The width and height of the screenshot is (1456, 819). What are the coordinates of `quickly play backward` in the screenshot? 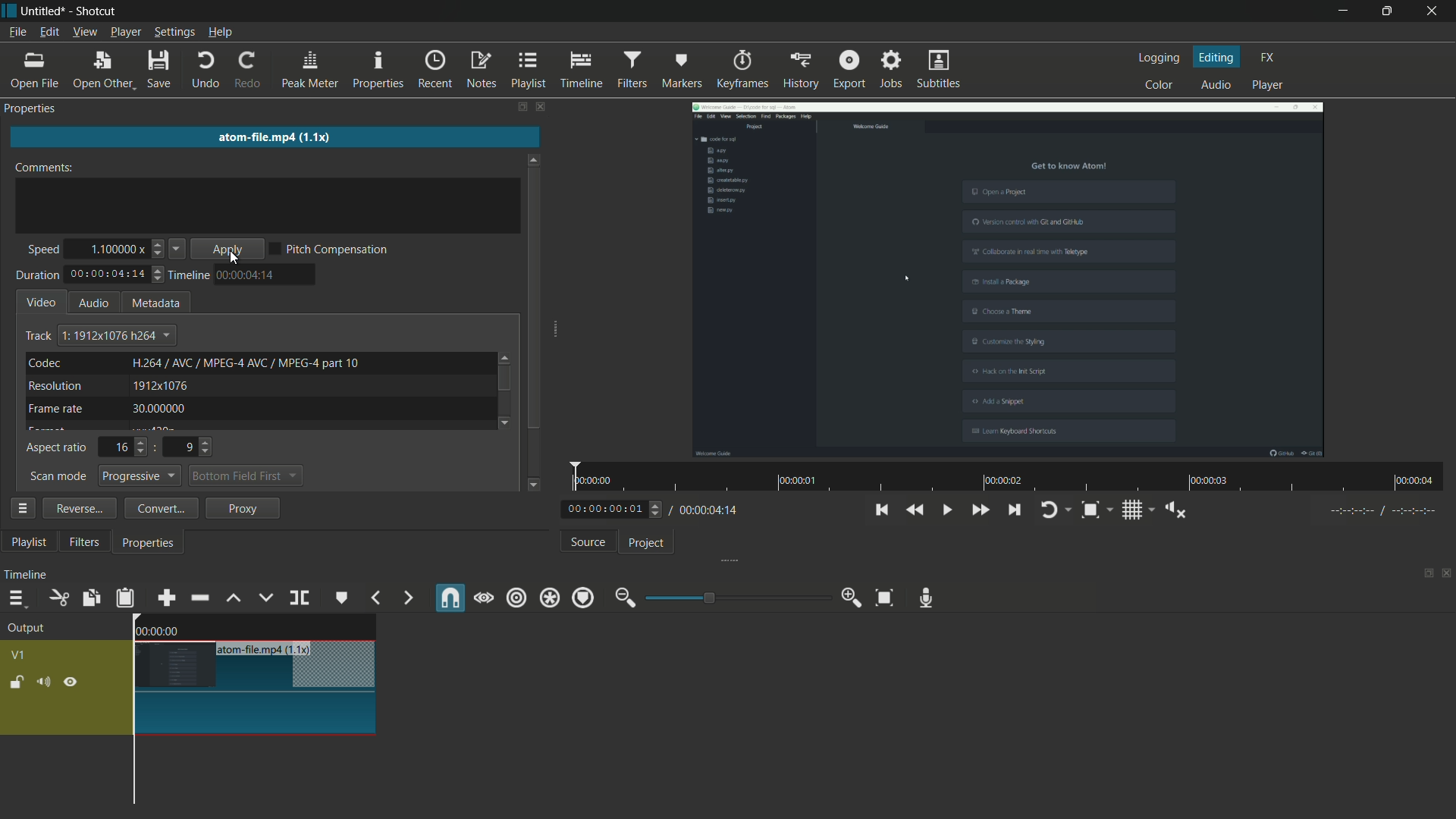 It's located at (916, 510).